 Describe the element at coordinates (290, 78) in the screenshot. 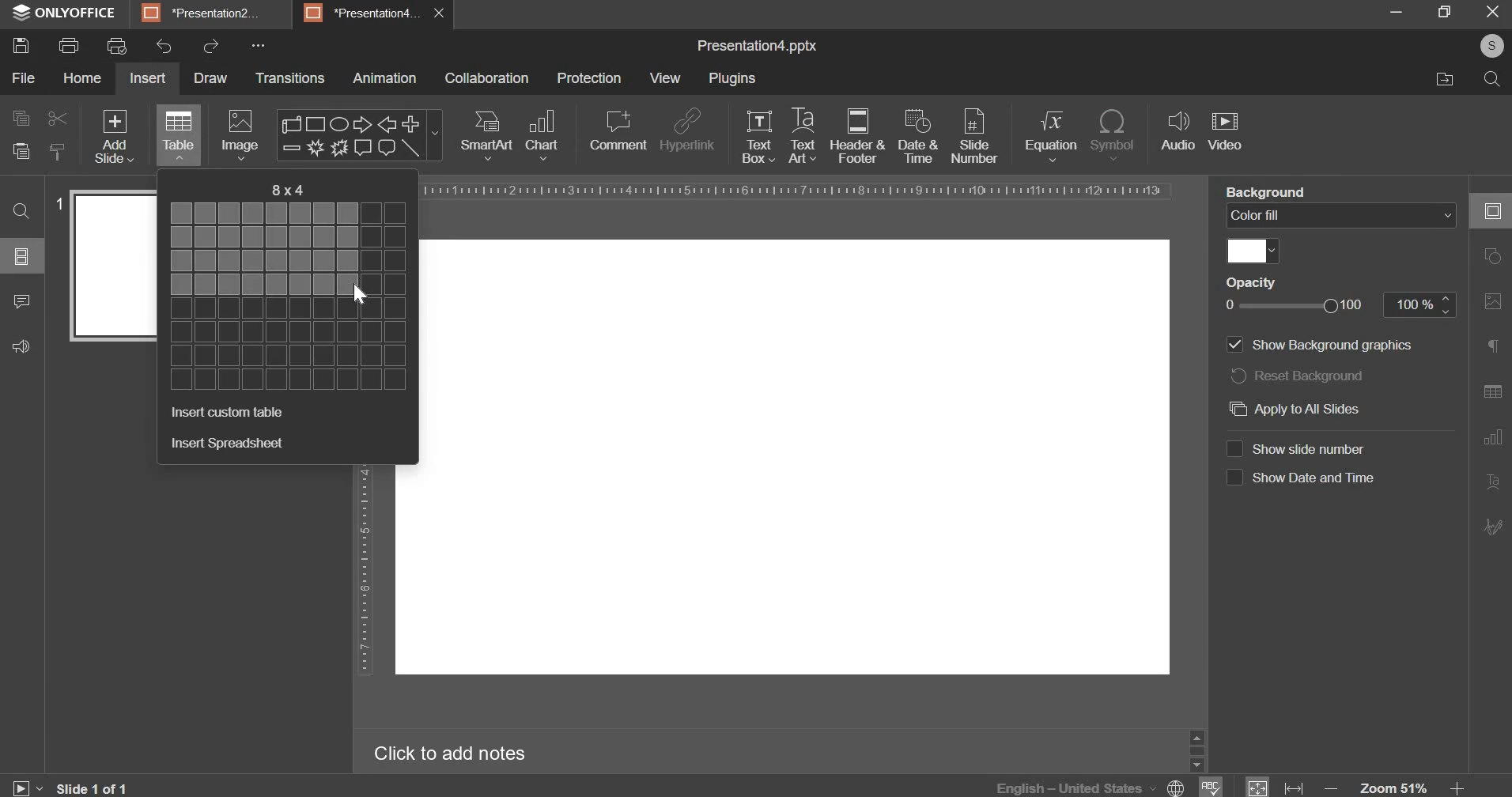

I see `transitions` at that location.